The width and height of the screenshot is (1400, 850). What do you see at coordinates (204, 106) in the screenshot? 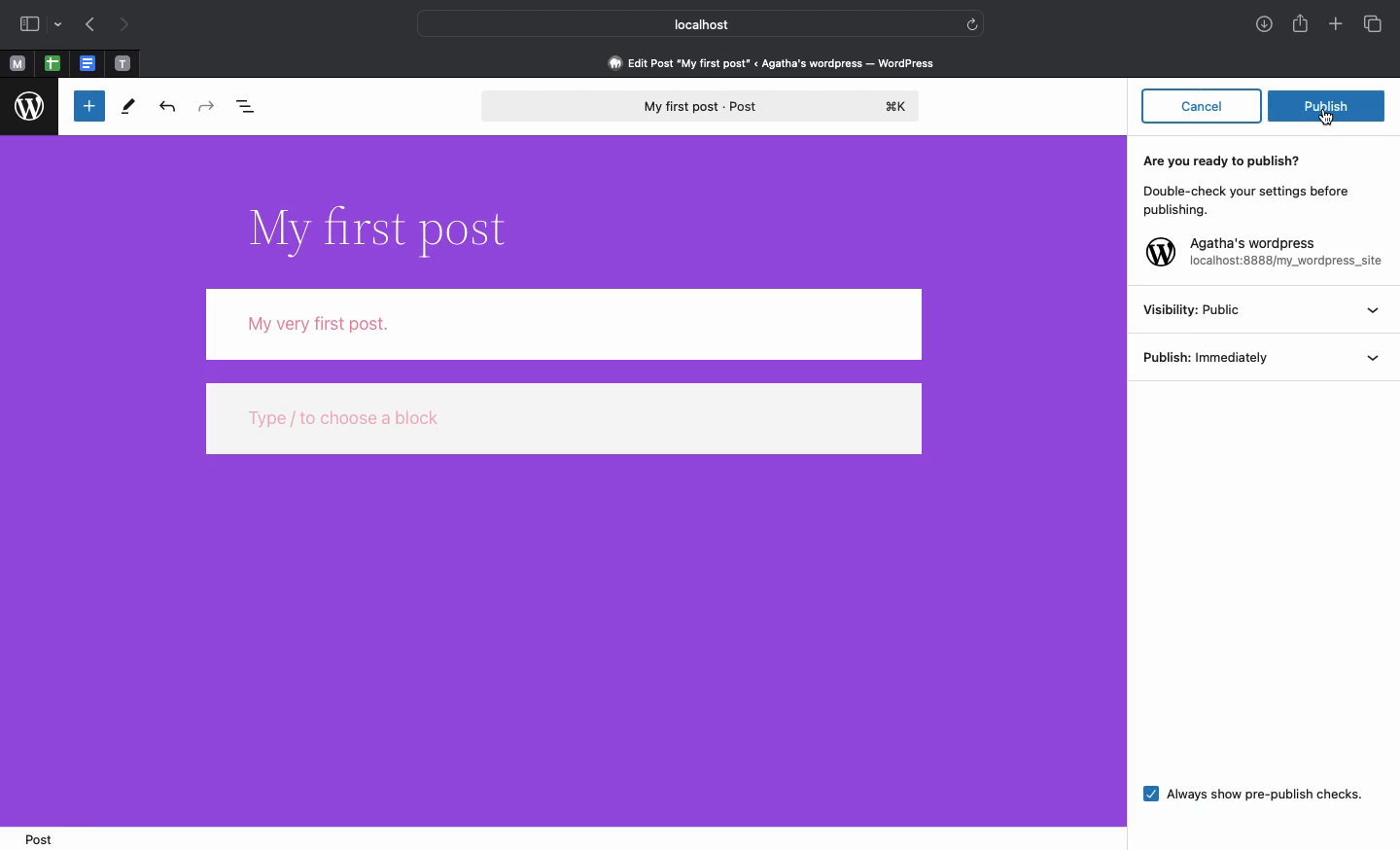
I see `Redo` at bounding box center [204, 106].